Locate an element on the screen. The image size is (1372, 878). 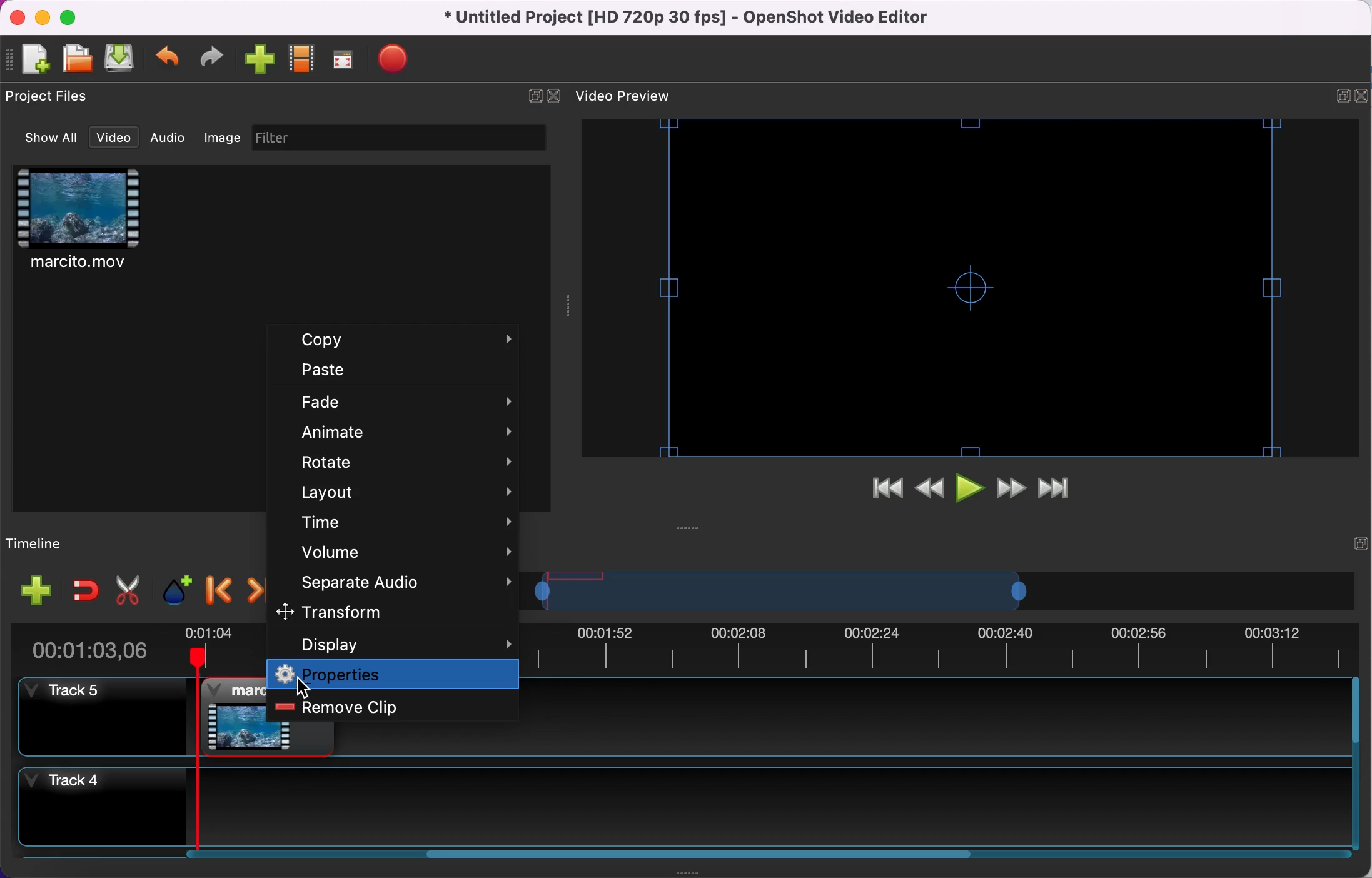
transform is located at coordinates (390, 613).